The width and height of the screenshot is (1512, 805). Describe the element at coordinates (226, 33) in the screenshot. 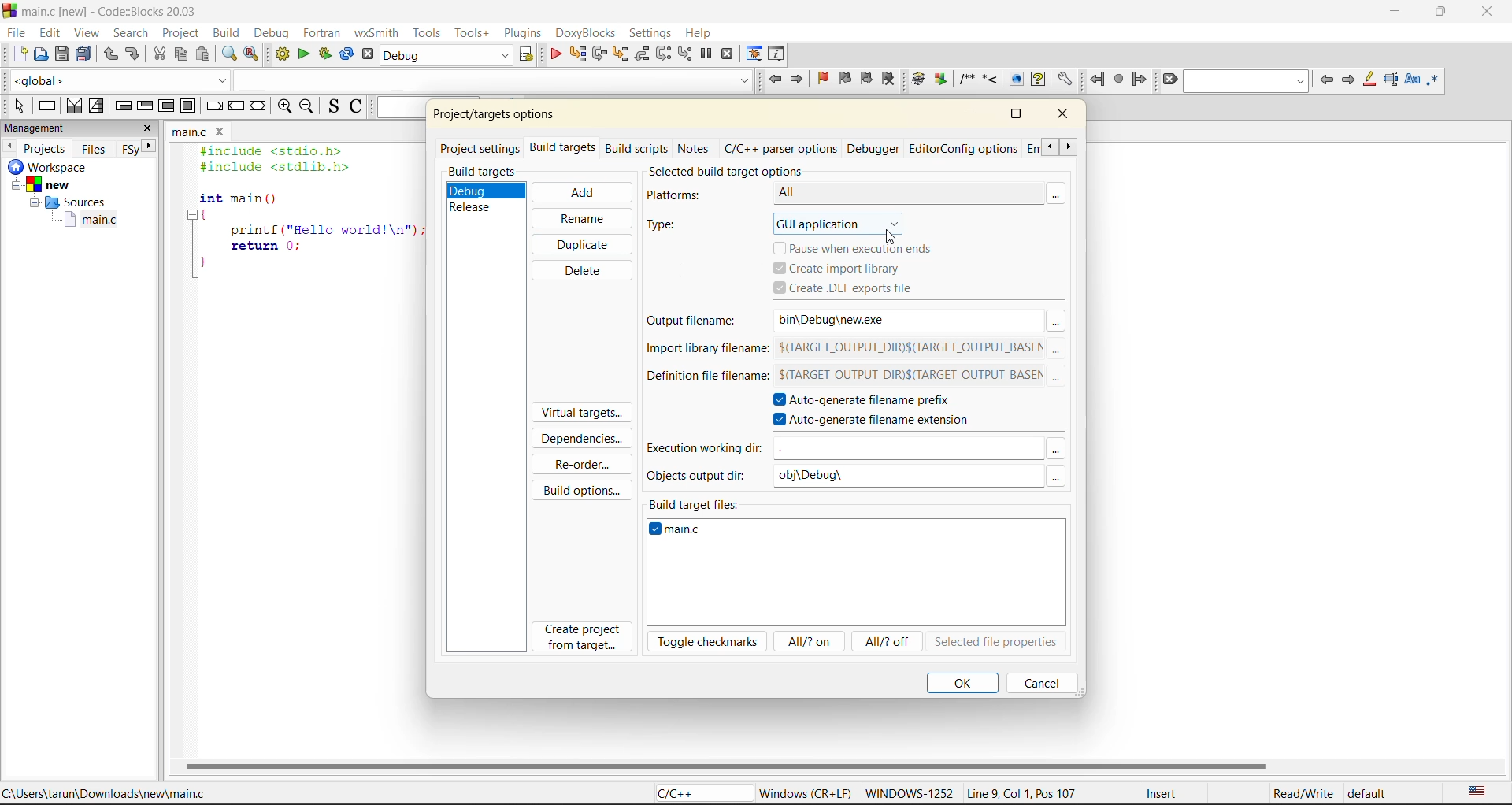

I see `build` at that location.